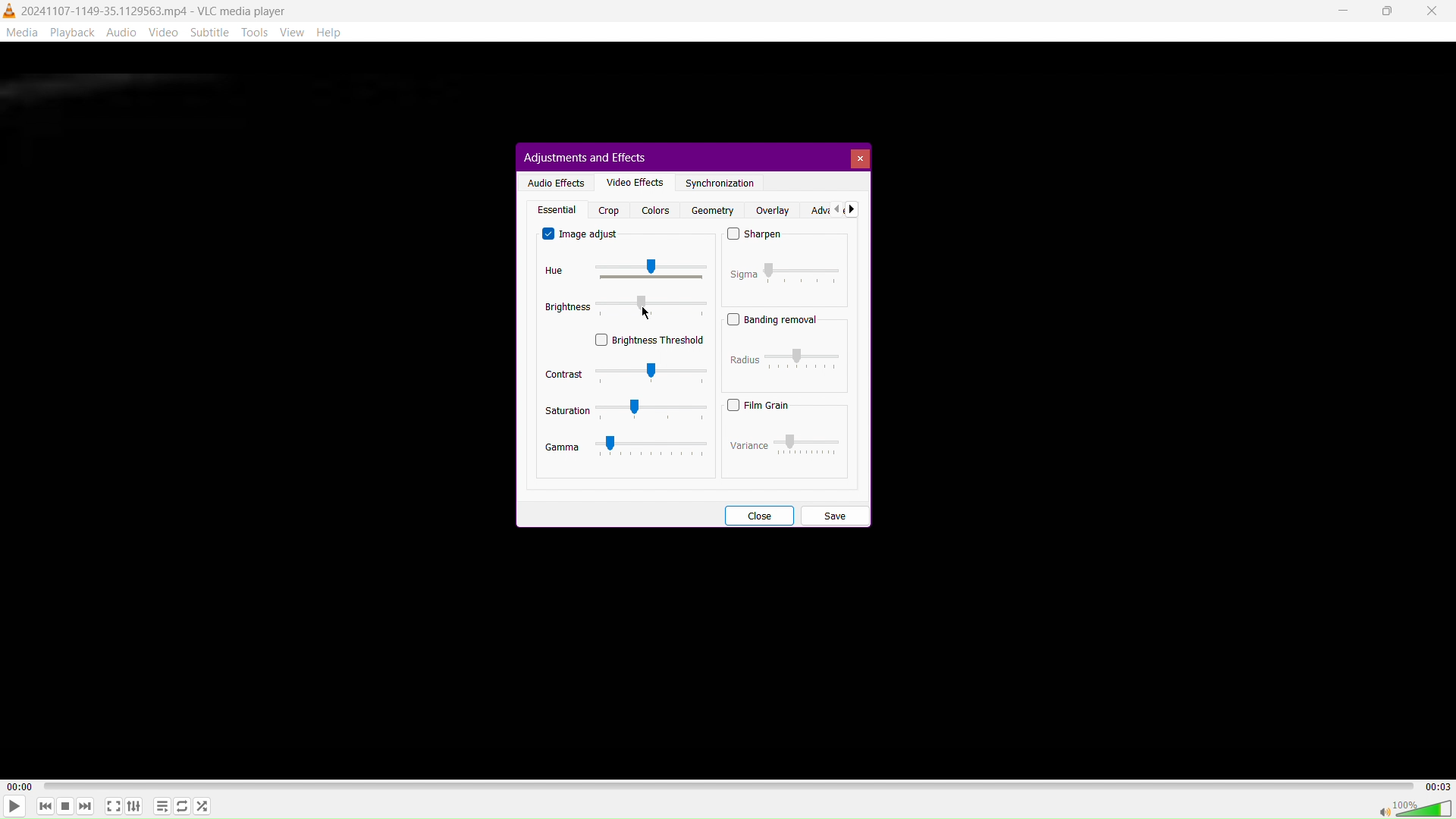  I want to click on Toggle playlist, so click(160, 805).